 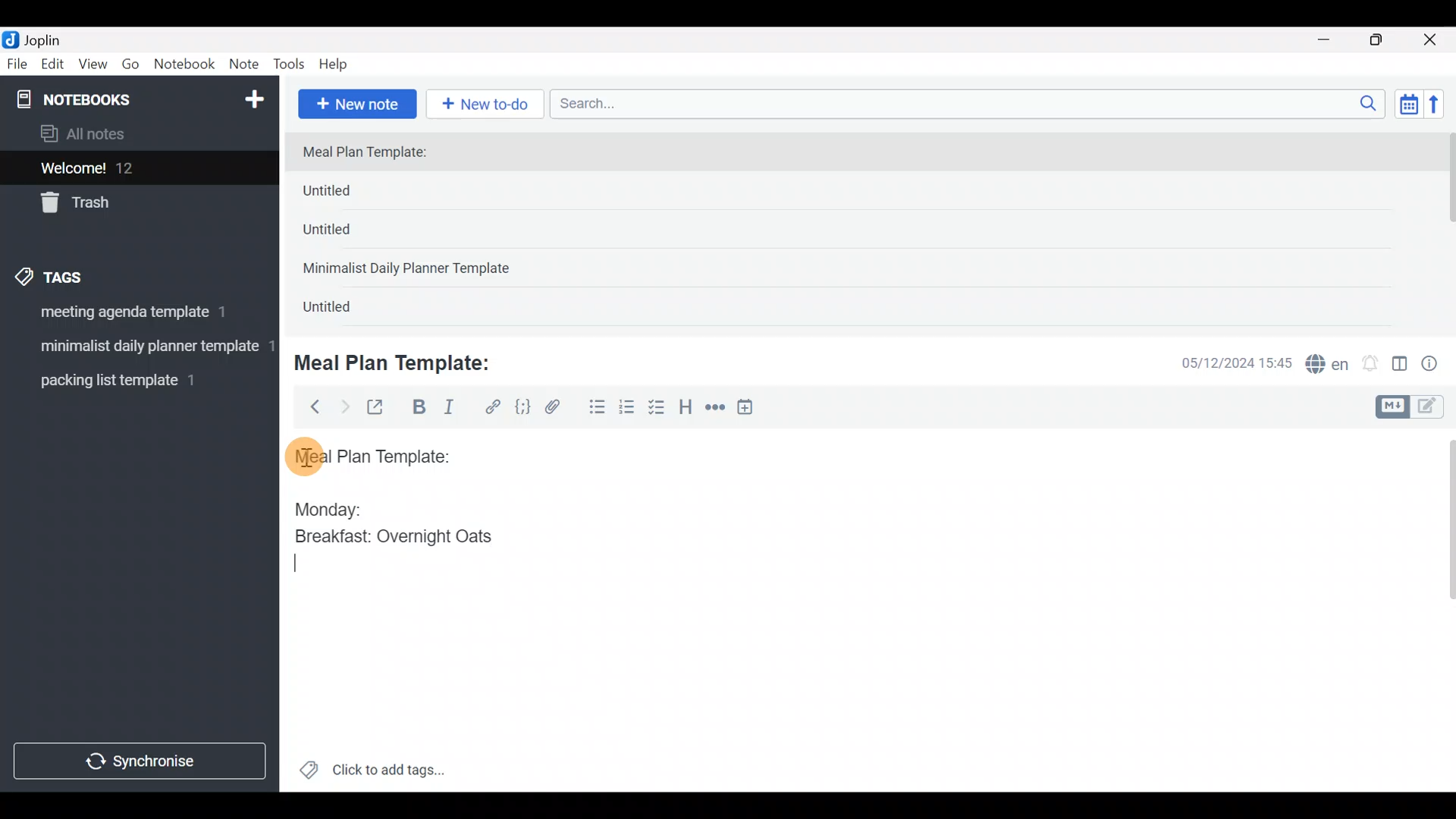 What do you see at coordinates (686, 409) in the screenshot?
I see `Heading` at bounding box center [686, 409].